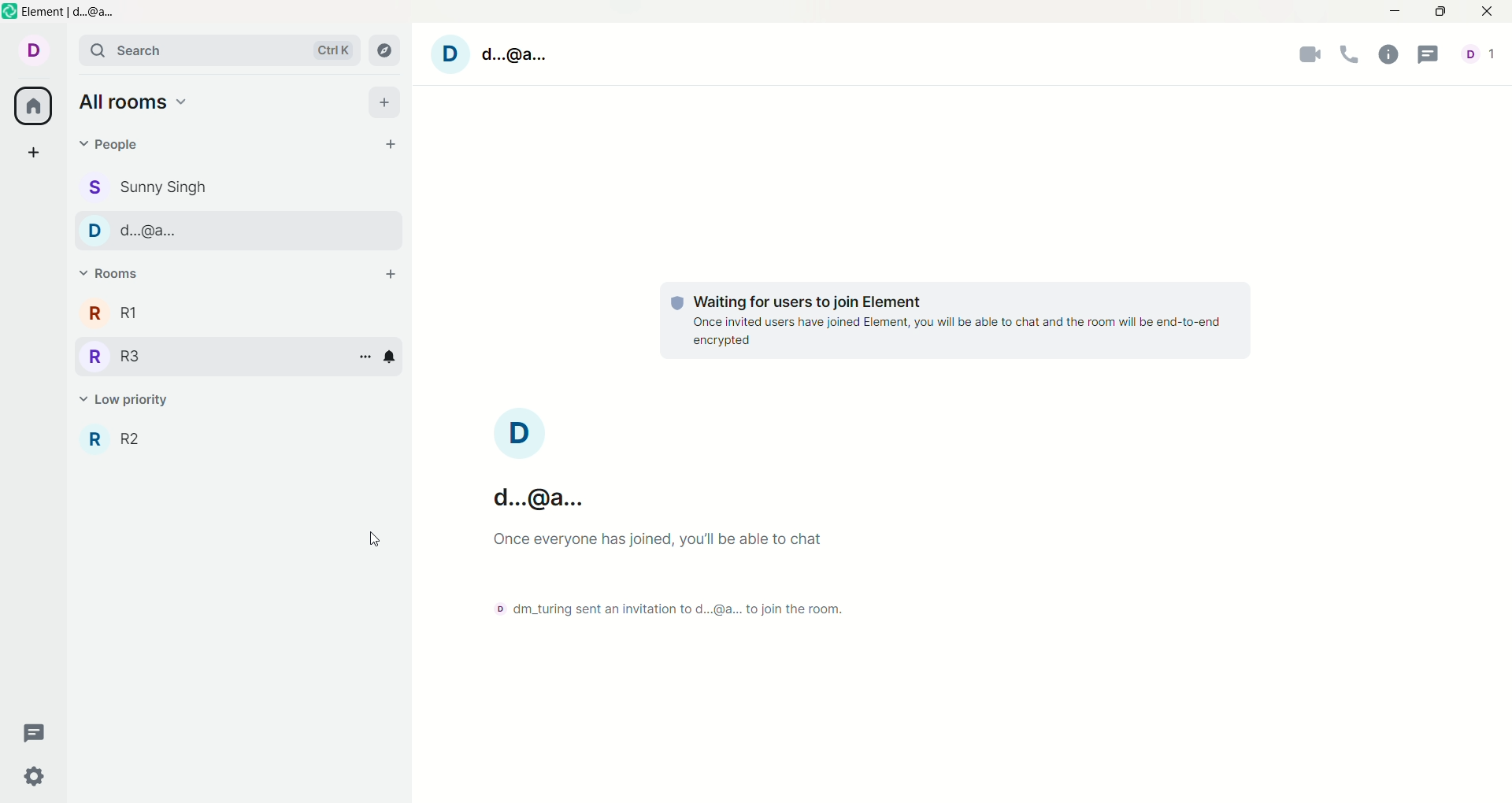  Describe the element at coordinates (1314, 56) in the screenshot. I see `video call` at that location.